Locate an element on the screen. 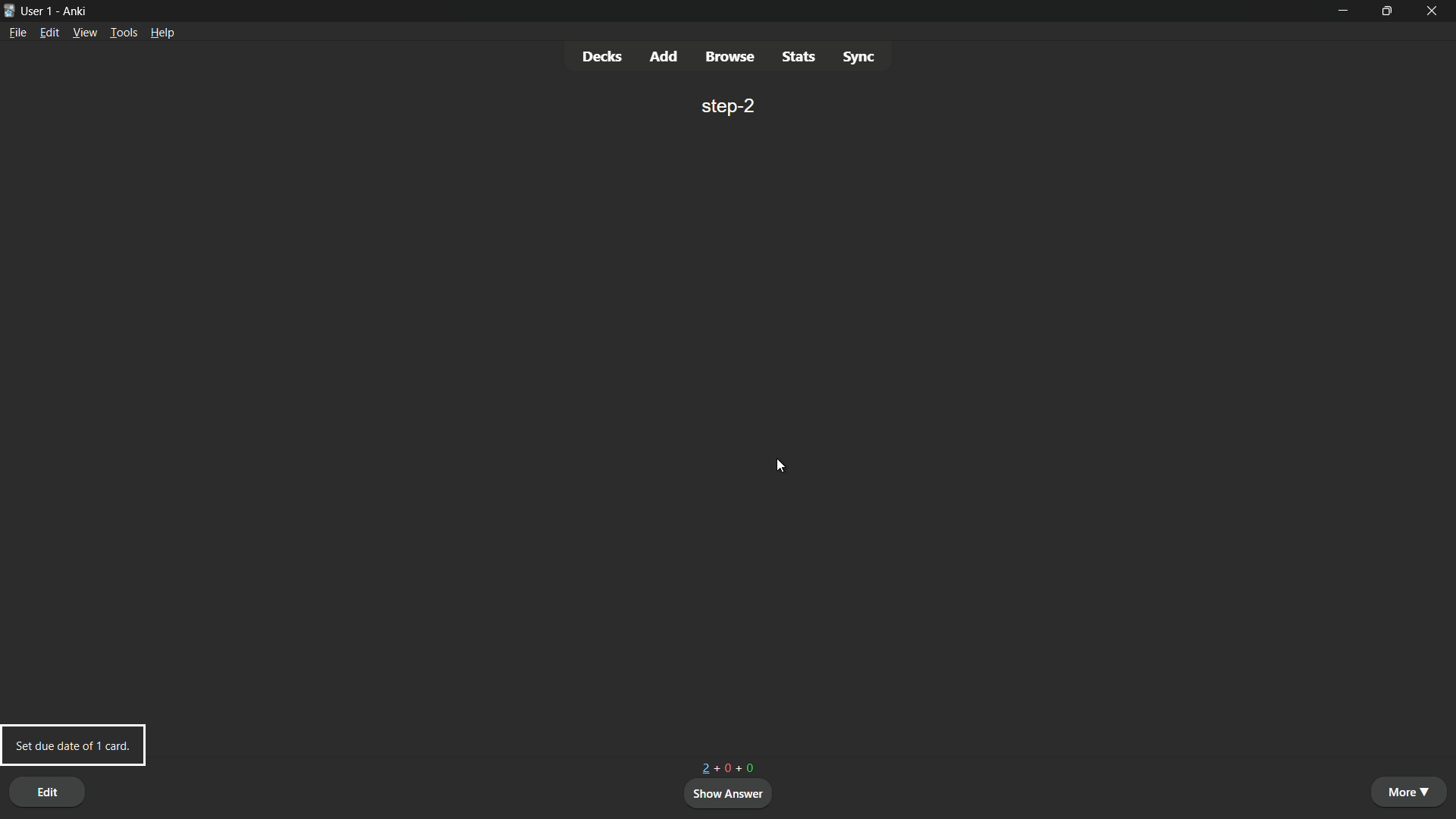 Image resolution: width=1456 pixels, height=819 pixels. tools menu is located at coordinates (124, 33).